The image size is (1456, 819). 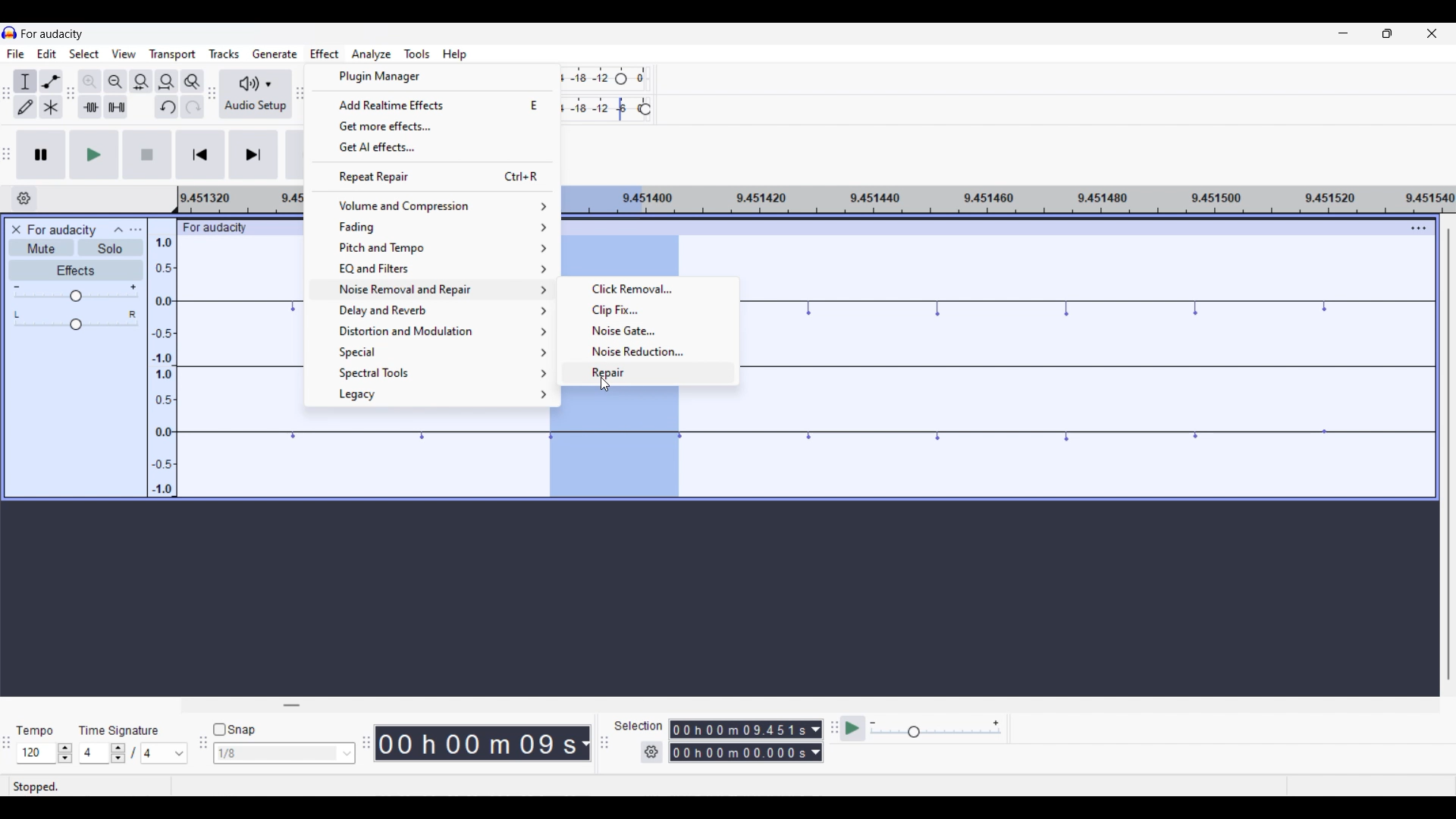 What do you see at coordinates (431, 268) in the screenshot?
I see `EQ and filter options` at bounding box center [431, 268].